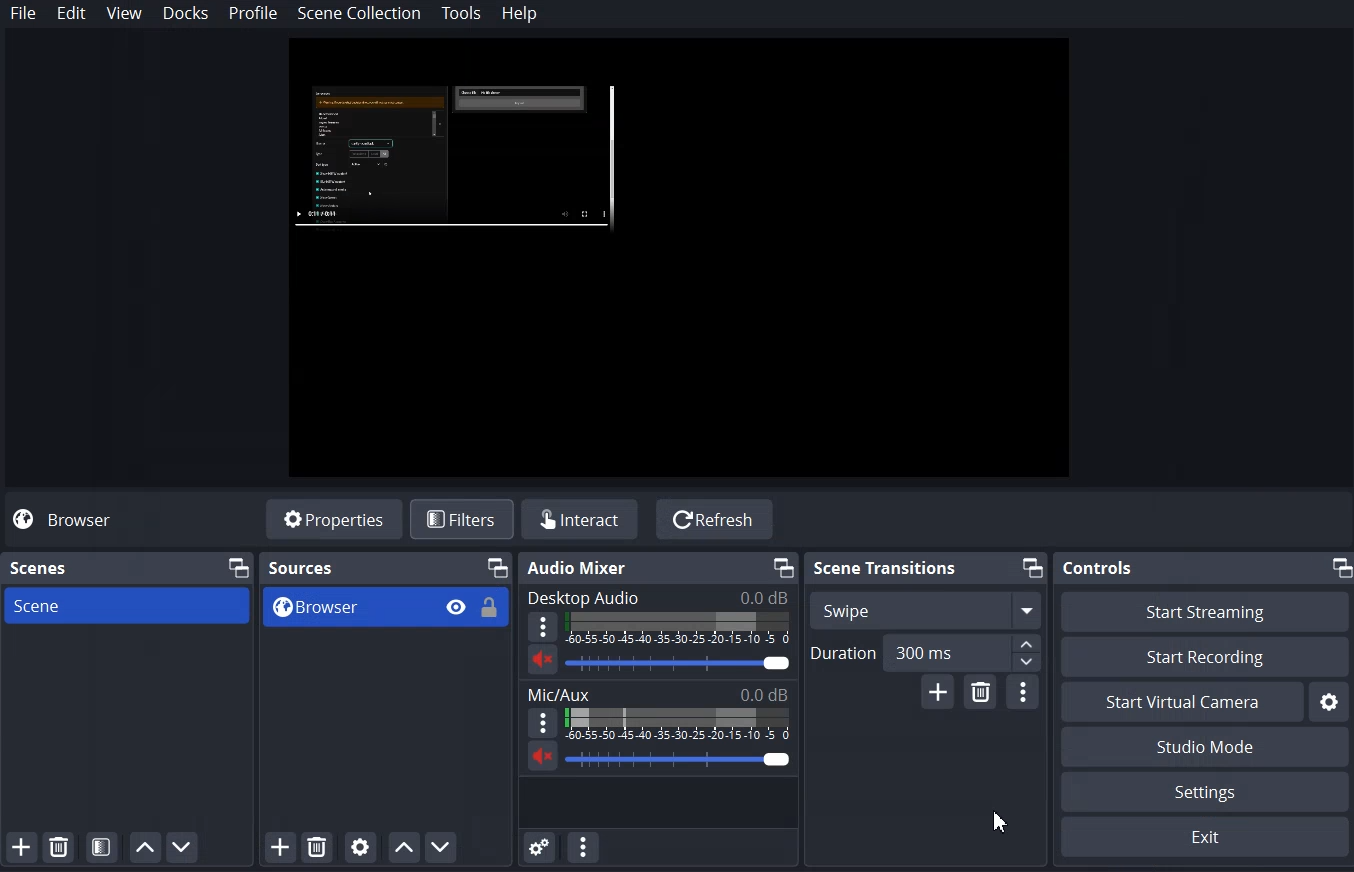 Image resolution: width=1354 pixels, height=872 pixels. I want to click on Browse, so click(385, 607).